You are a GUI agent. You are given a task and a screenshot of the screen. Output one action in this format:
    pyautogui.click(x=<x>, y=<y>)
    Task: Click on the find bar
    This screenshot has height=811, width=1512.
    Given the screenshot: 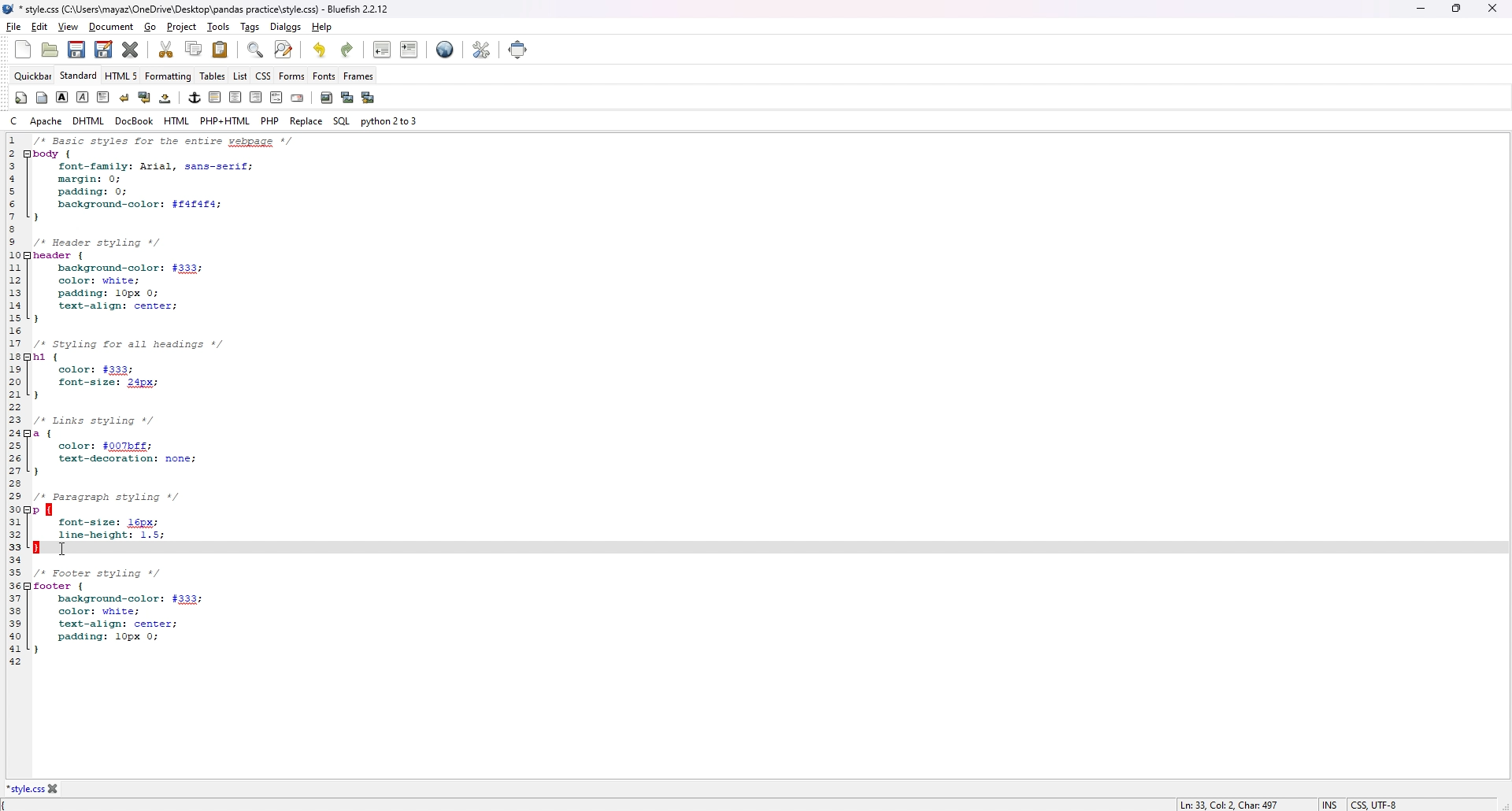 What is the action you would take?
    pyautogui.click(x=254, y=50)
    